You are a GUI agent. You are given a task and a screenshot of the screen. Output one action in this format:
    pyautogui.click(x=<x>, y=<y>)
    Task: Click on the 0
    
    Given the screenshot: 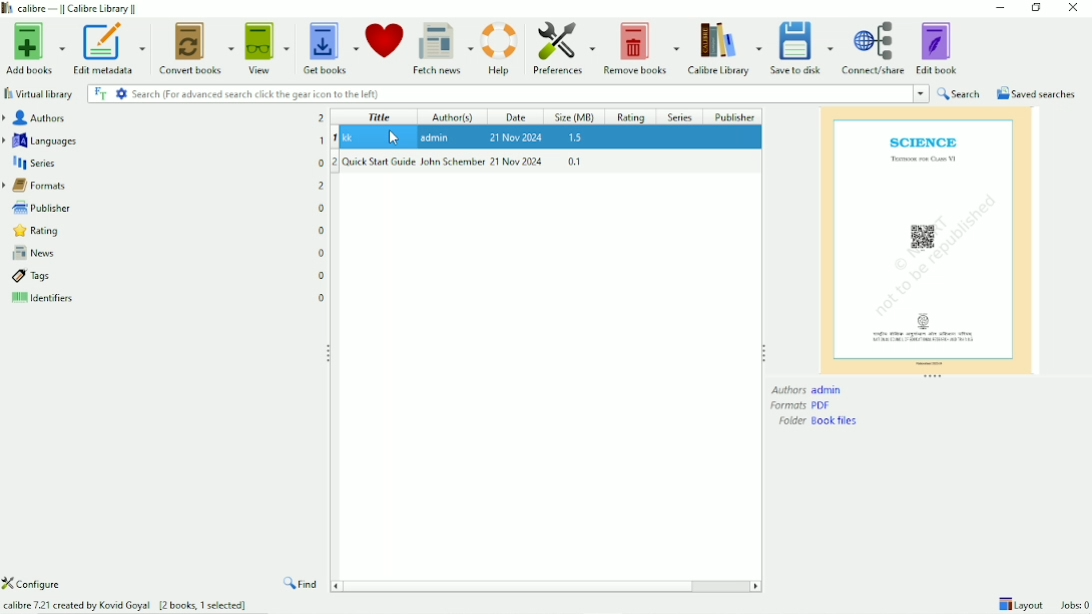 What is the action you would take?
    pyautogui.click(x=322, y=208)
    